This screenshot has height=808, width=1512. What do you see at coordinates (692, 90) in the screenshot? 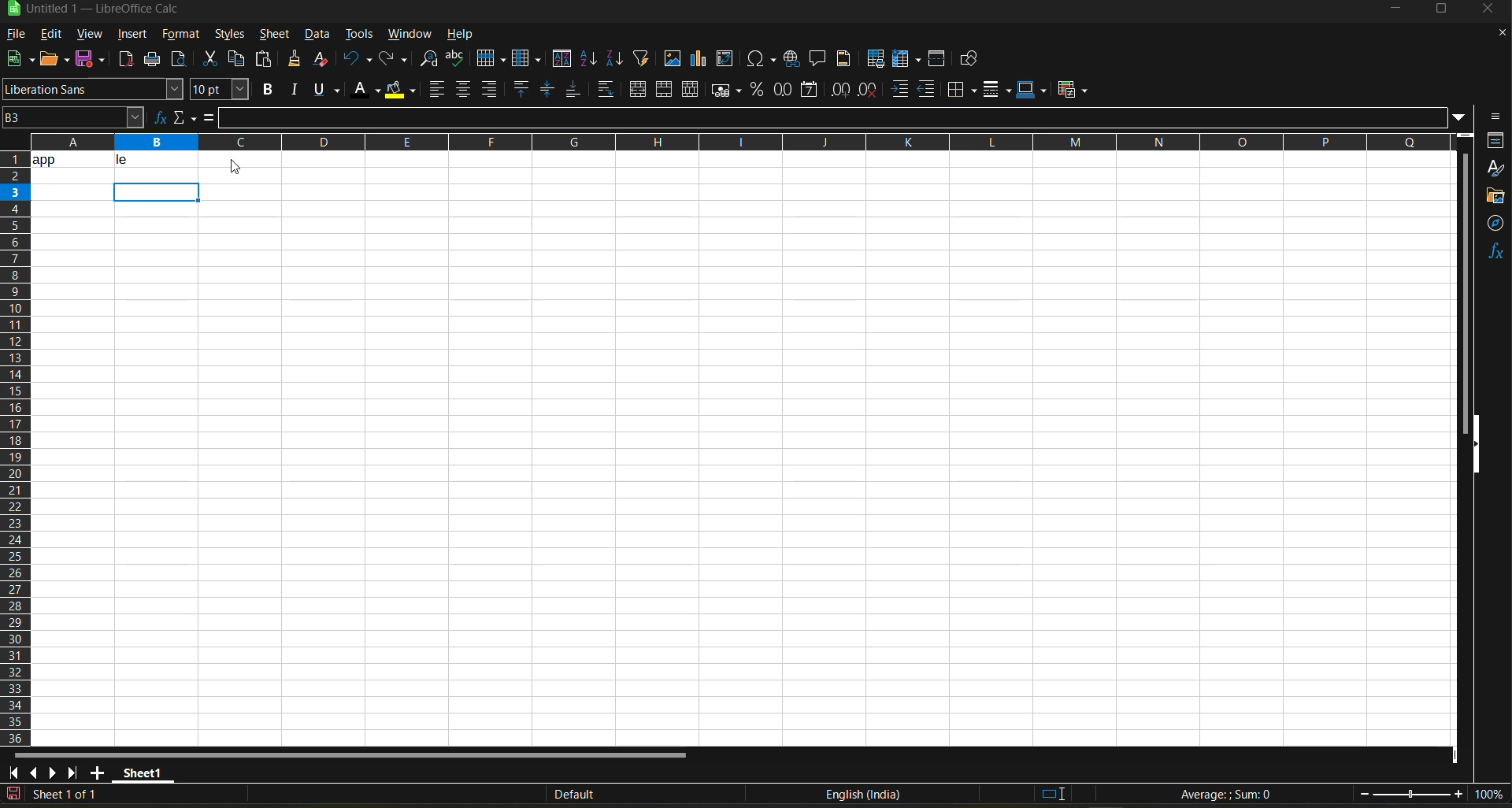
I see `unmerge cells` at bounding box center [692, 90].